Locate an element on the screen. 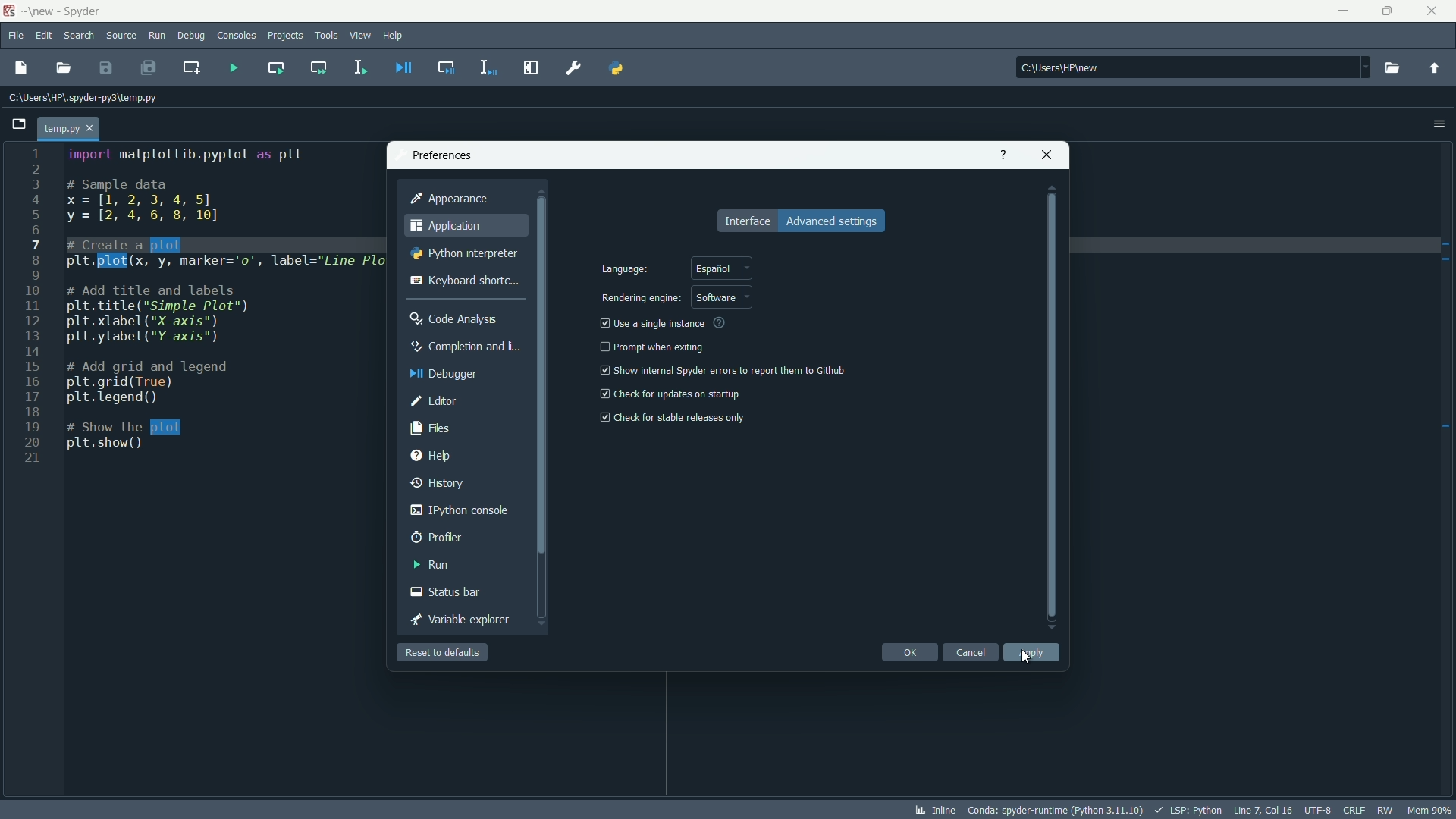  folder name is located at coordinates (39, 12).